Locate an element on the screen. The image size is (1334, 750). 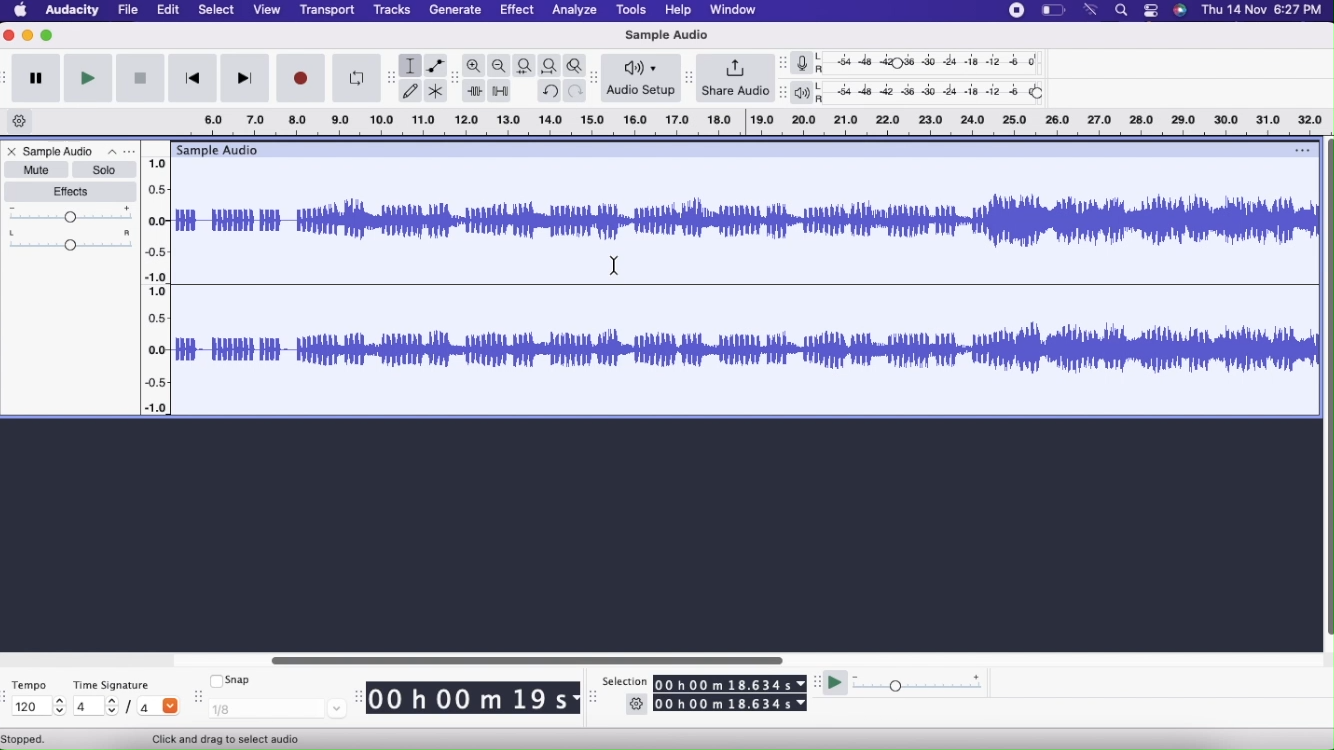
4 is located at coordinates (159, 708).